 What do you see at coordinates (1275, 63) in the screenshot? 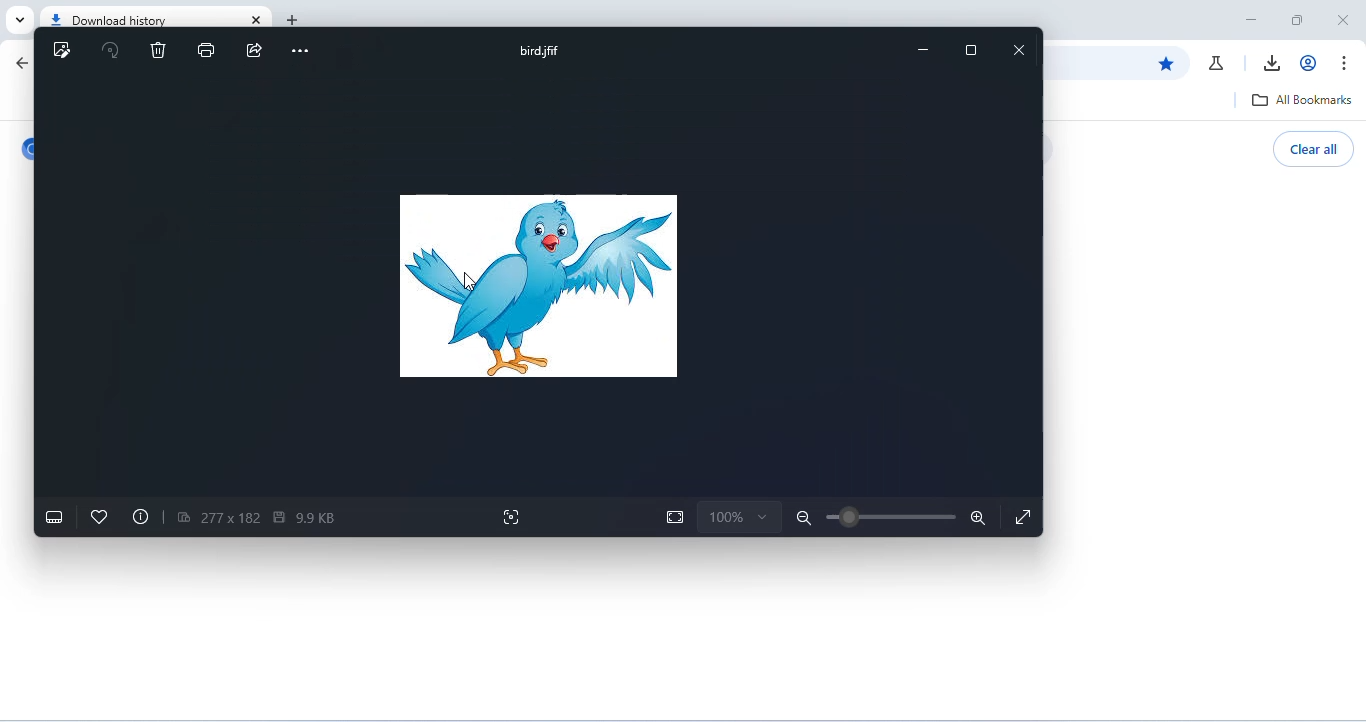
I see `download` at bounding box center [1275, 63].